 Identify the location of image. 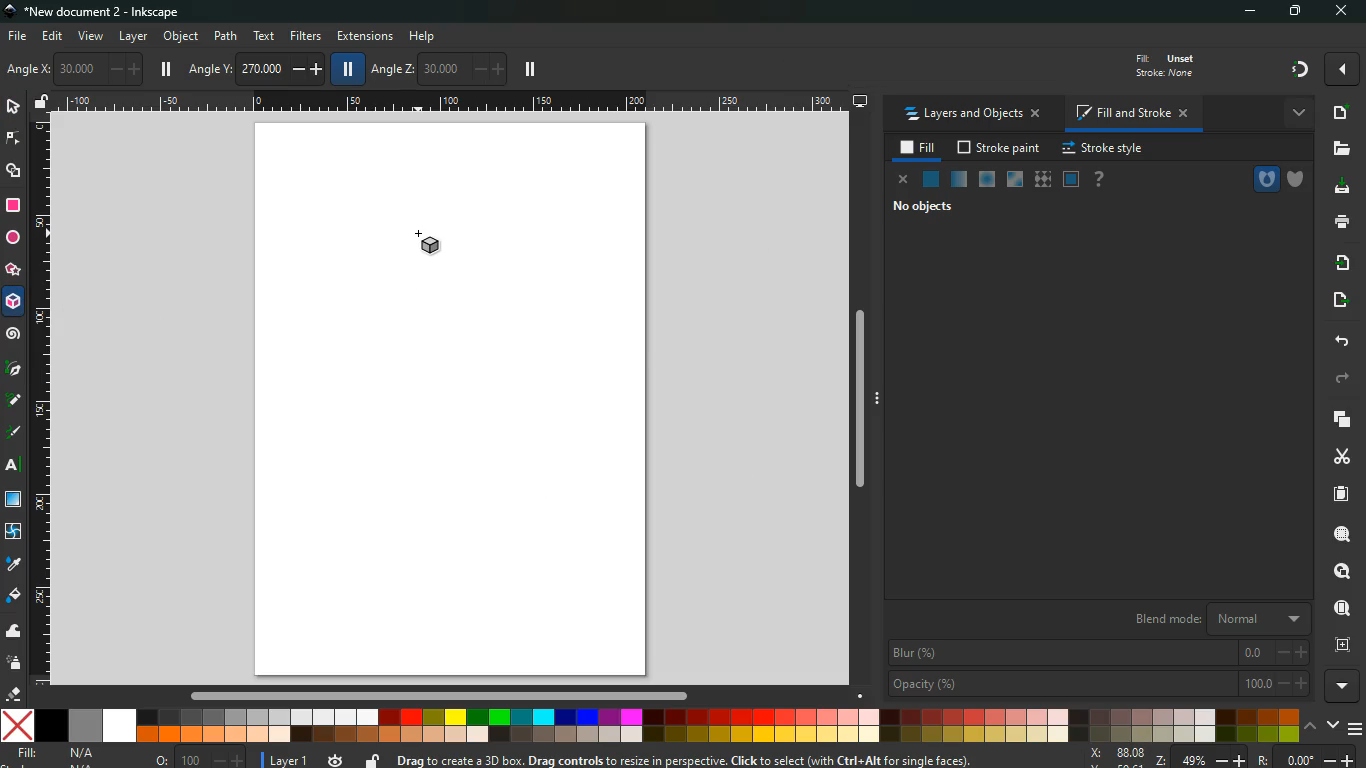
(449, 484).